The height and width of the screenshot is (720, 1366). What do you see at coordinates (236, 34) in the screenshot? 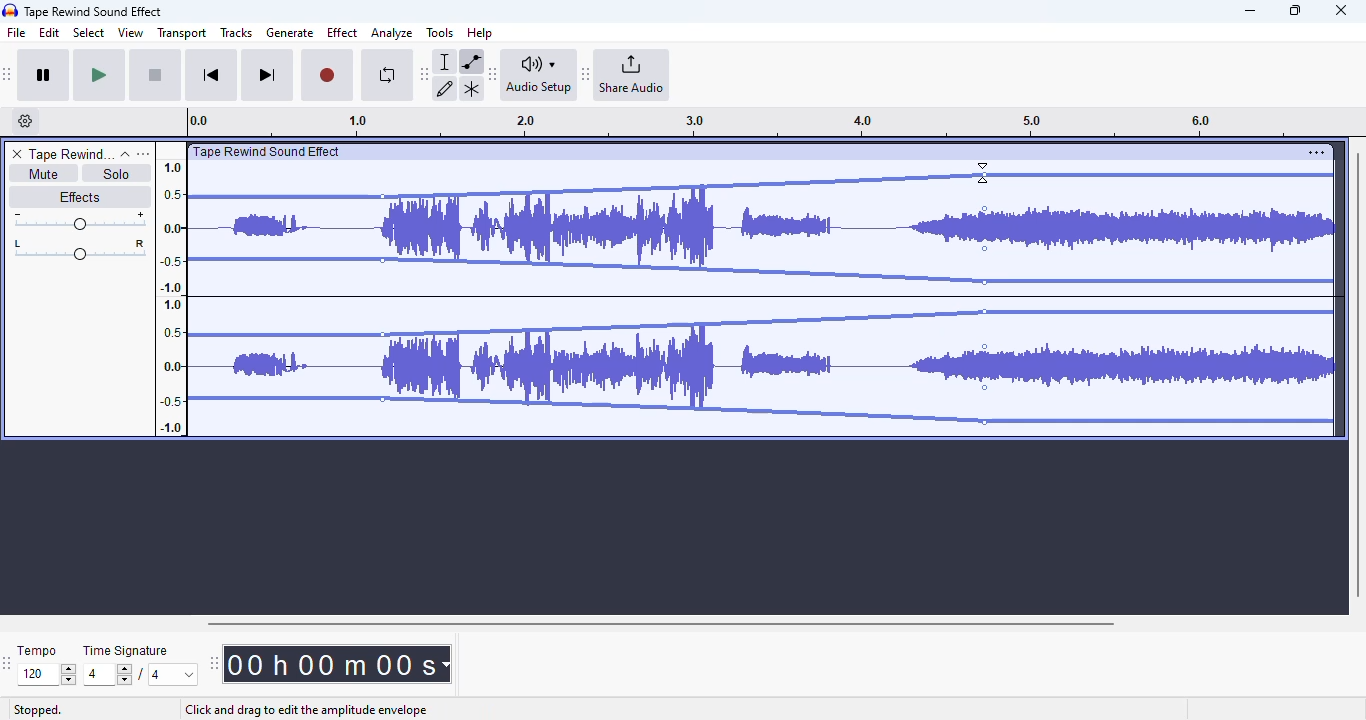
I see `tracks` at bounding box center [236, 34].